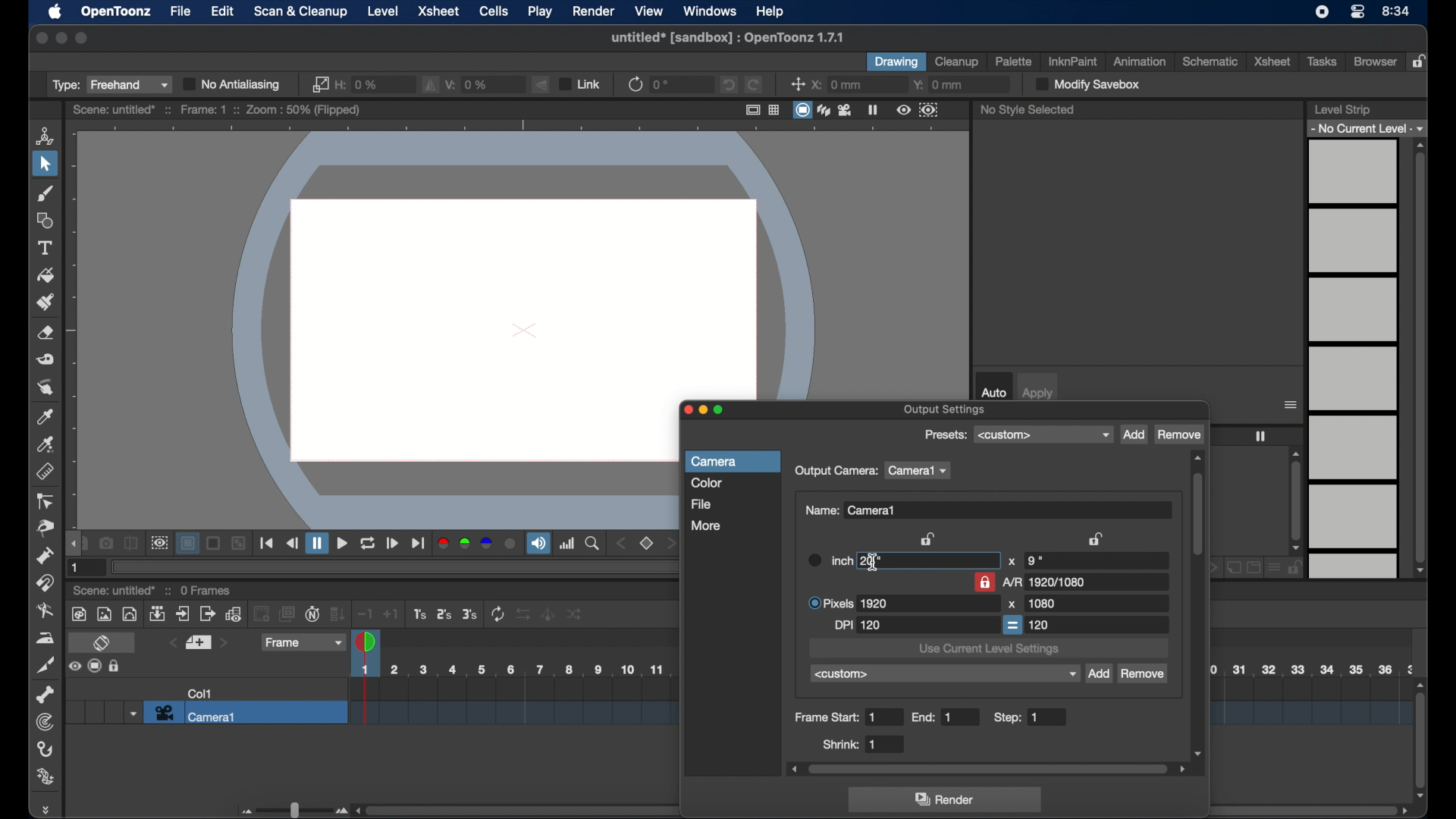  Describe the element at coordinates (240, 544) in the screenshot. I see `` at that location.